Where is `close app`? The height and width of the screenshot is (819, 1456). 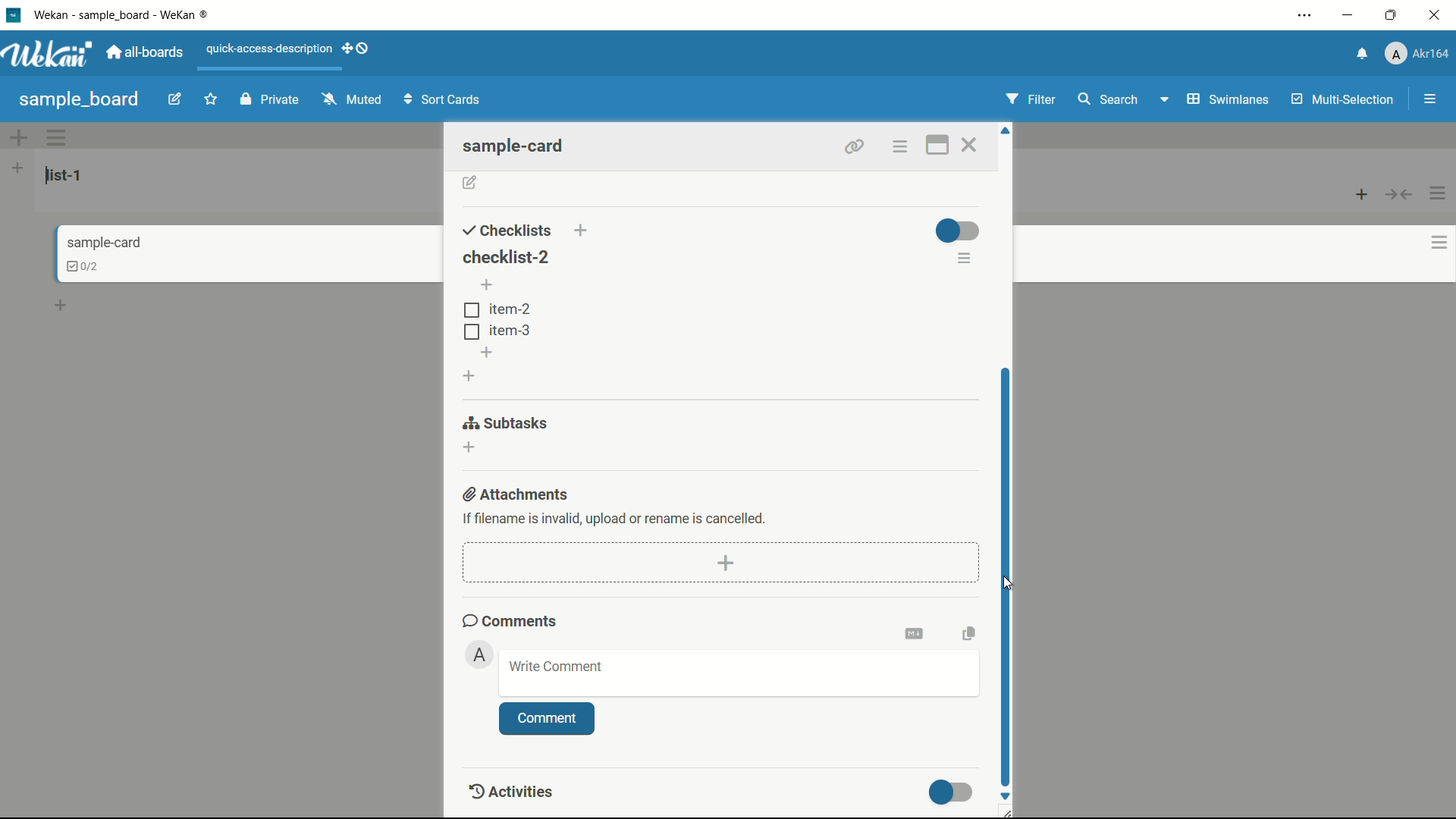
close app is located at coordinates (1436, 15).